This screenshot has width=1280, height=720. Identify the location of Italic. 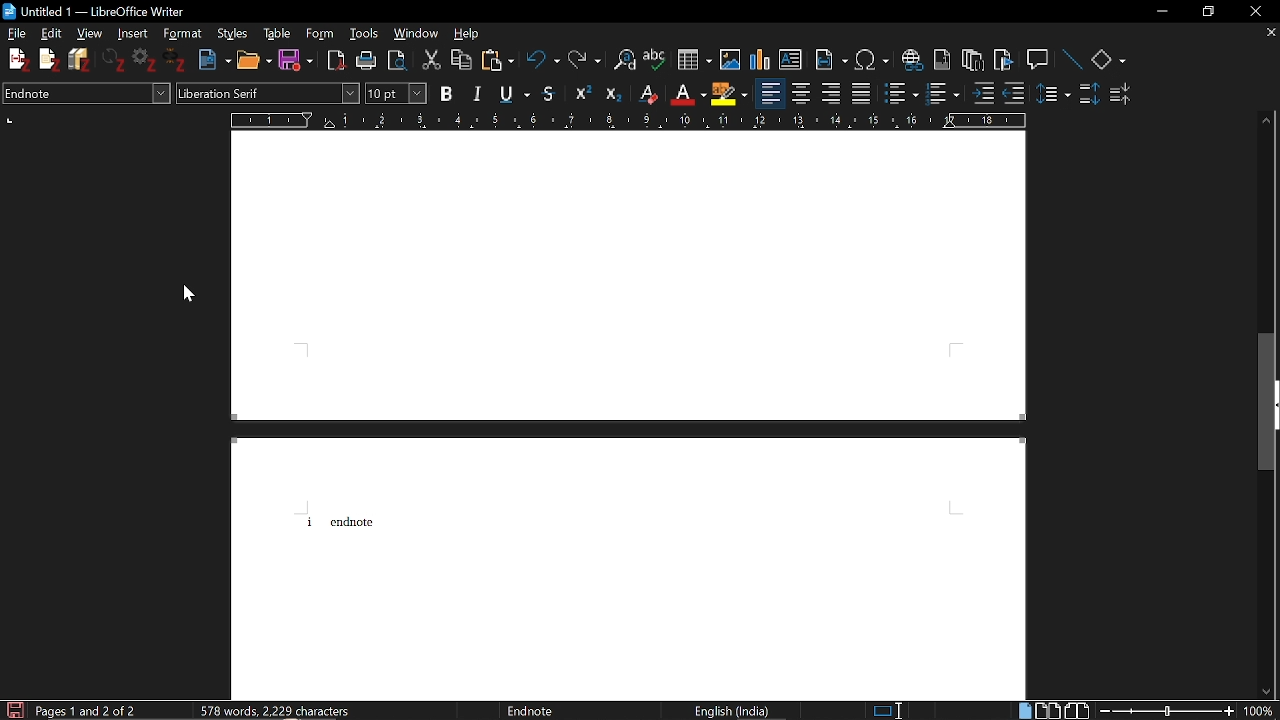
(481, 93).